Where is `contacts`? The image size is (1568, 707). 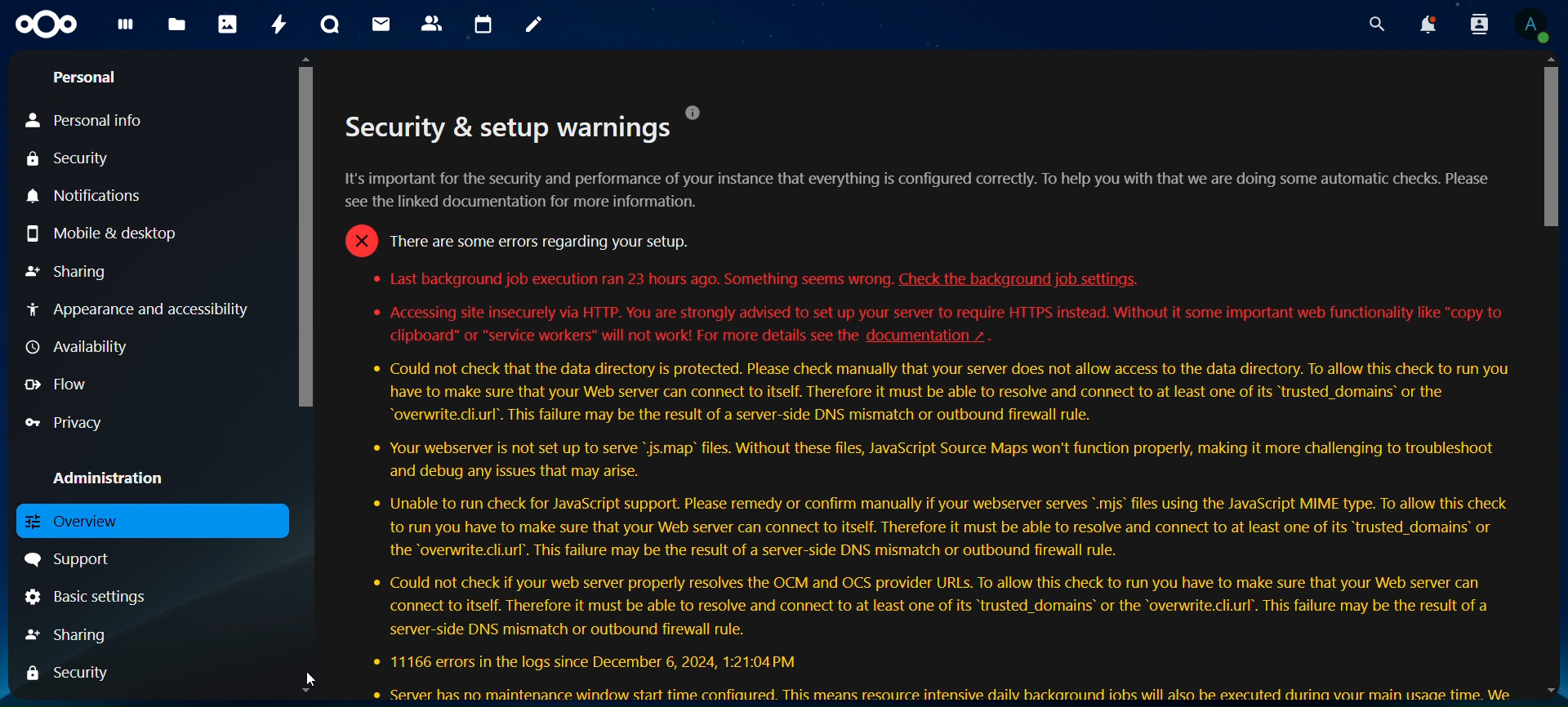 contacts is located at coordinates (432, 23).